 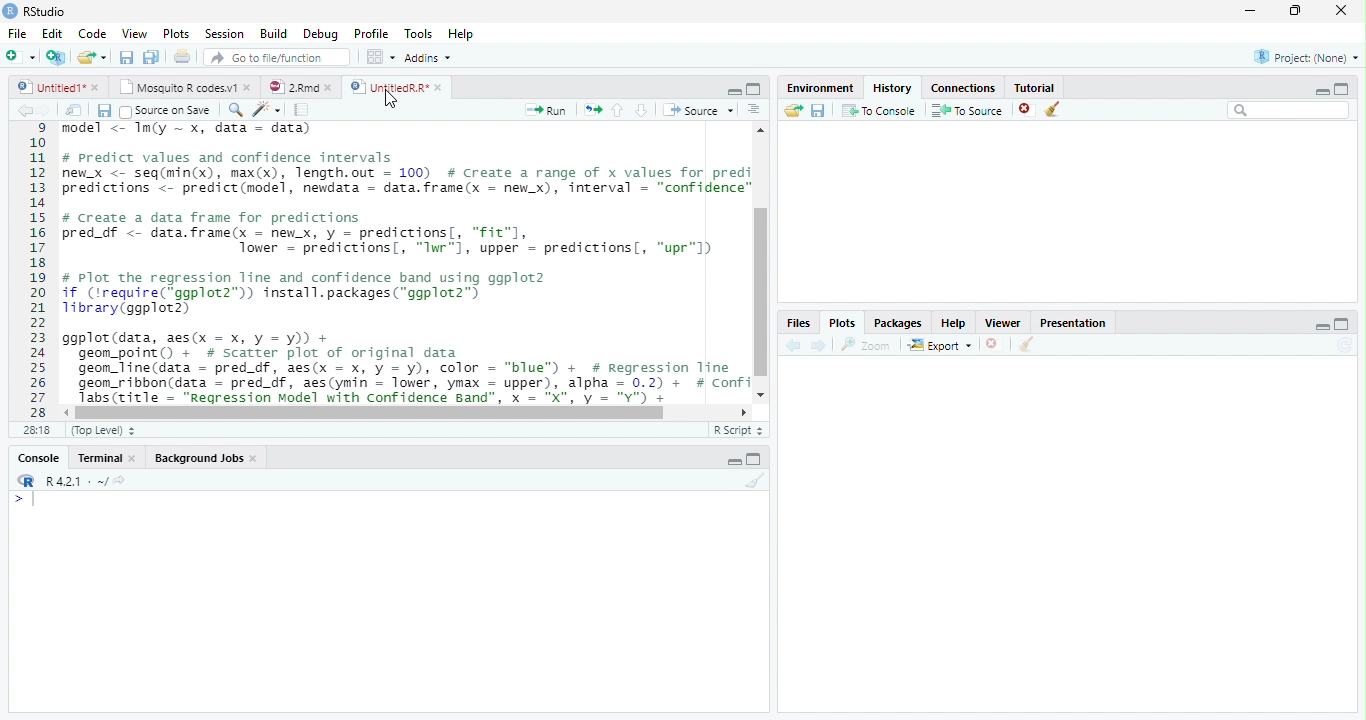 I want to click on Run, so click(x=544, y=111).